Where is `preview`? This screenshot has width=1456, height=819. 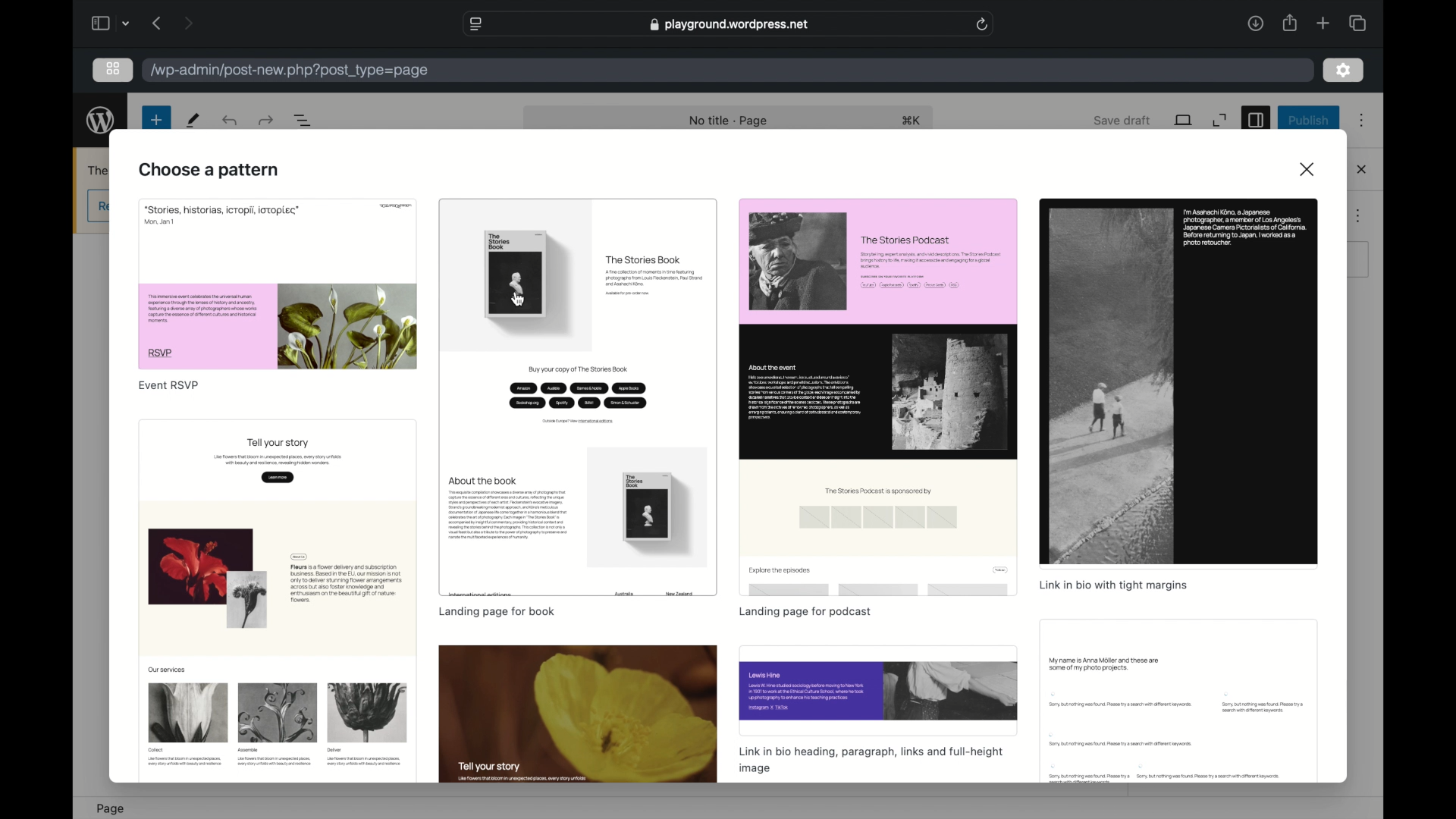 preview is located at coordinates (877, 691).